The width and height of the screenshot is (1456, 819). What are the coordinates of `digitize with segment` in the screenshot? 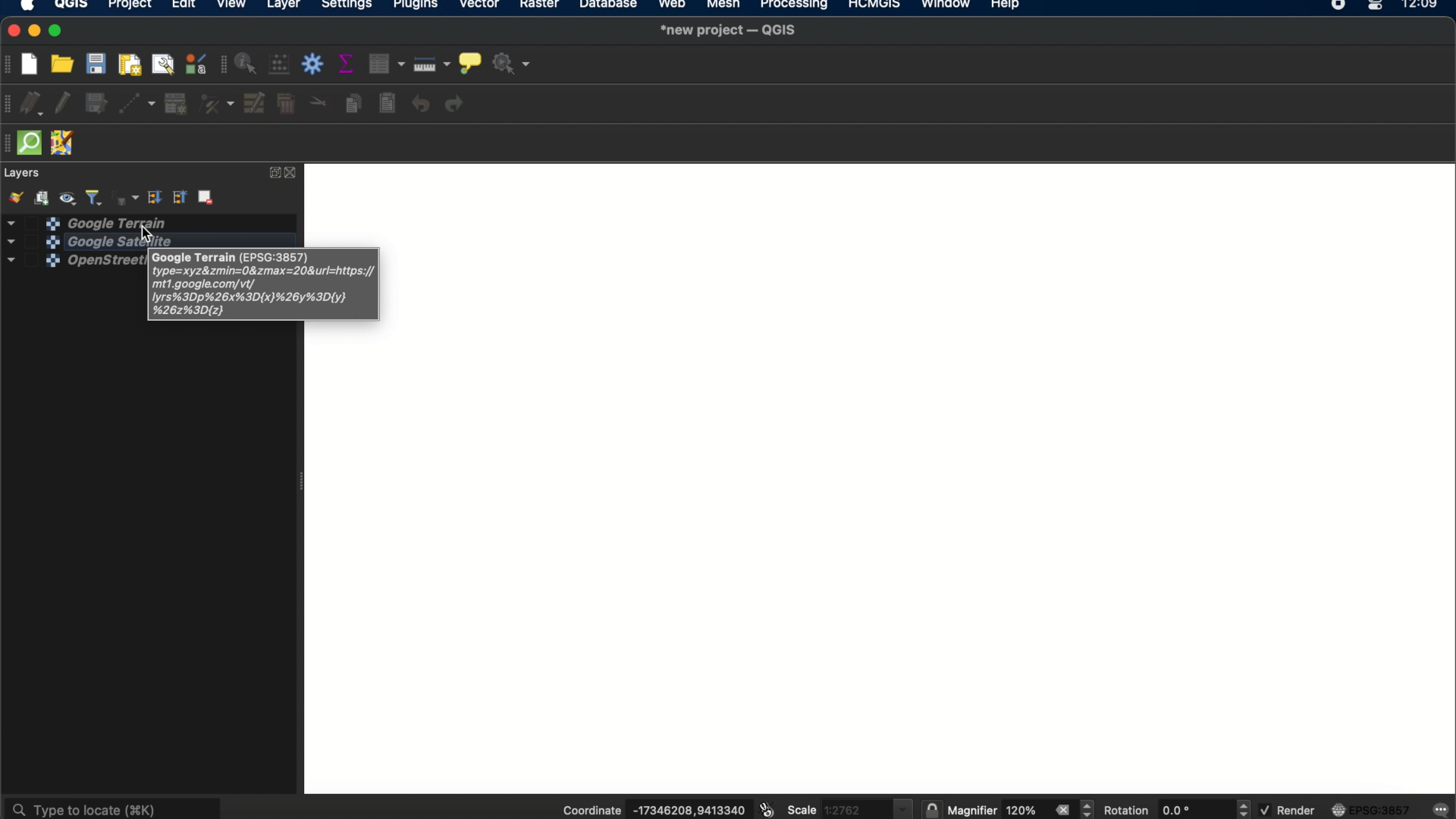 It's located at (139, 103).